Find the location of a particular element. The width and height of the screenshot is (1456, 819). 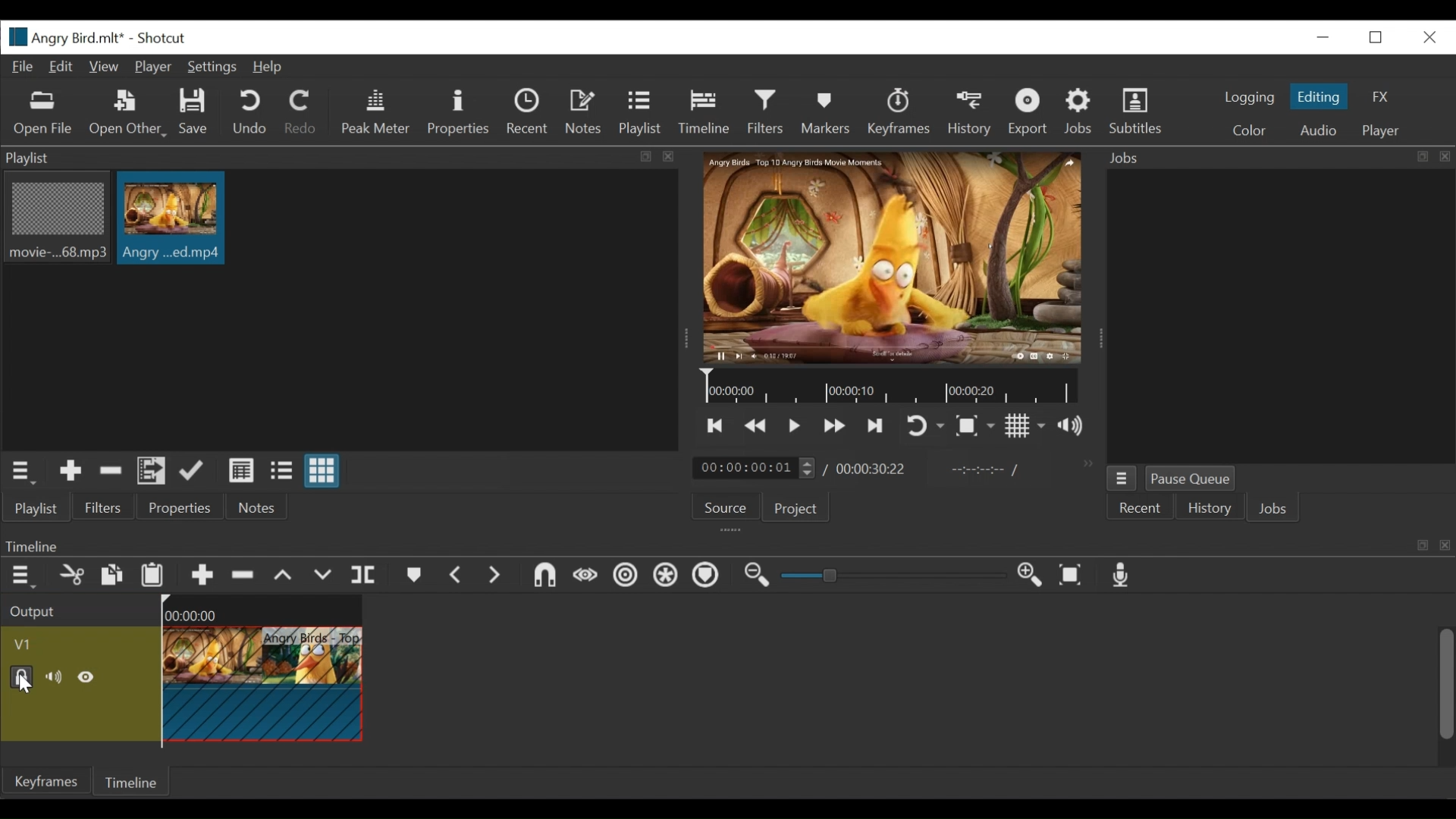

Filters is located at coordinates (766, 113).